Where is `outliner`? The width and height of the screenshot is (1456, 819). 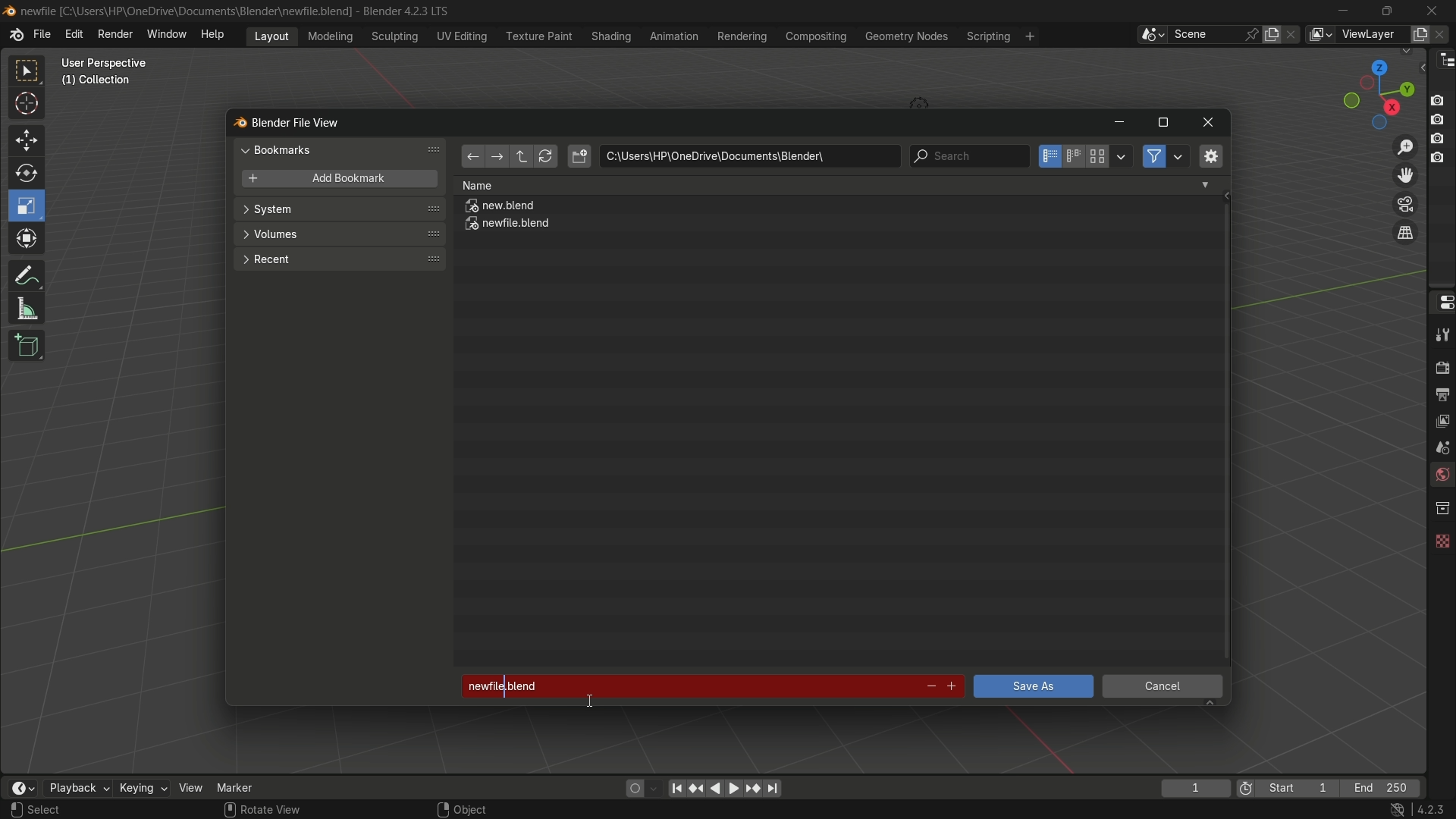 outliner is located at coordinates (1442, 59).